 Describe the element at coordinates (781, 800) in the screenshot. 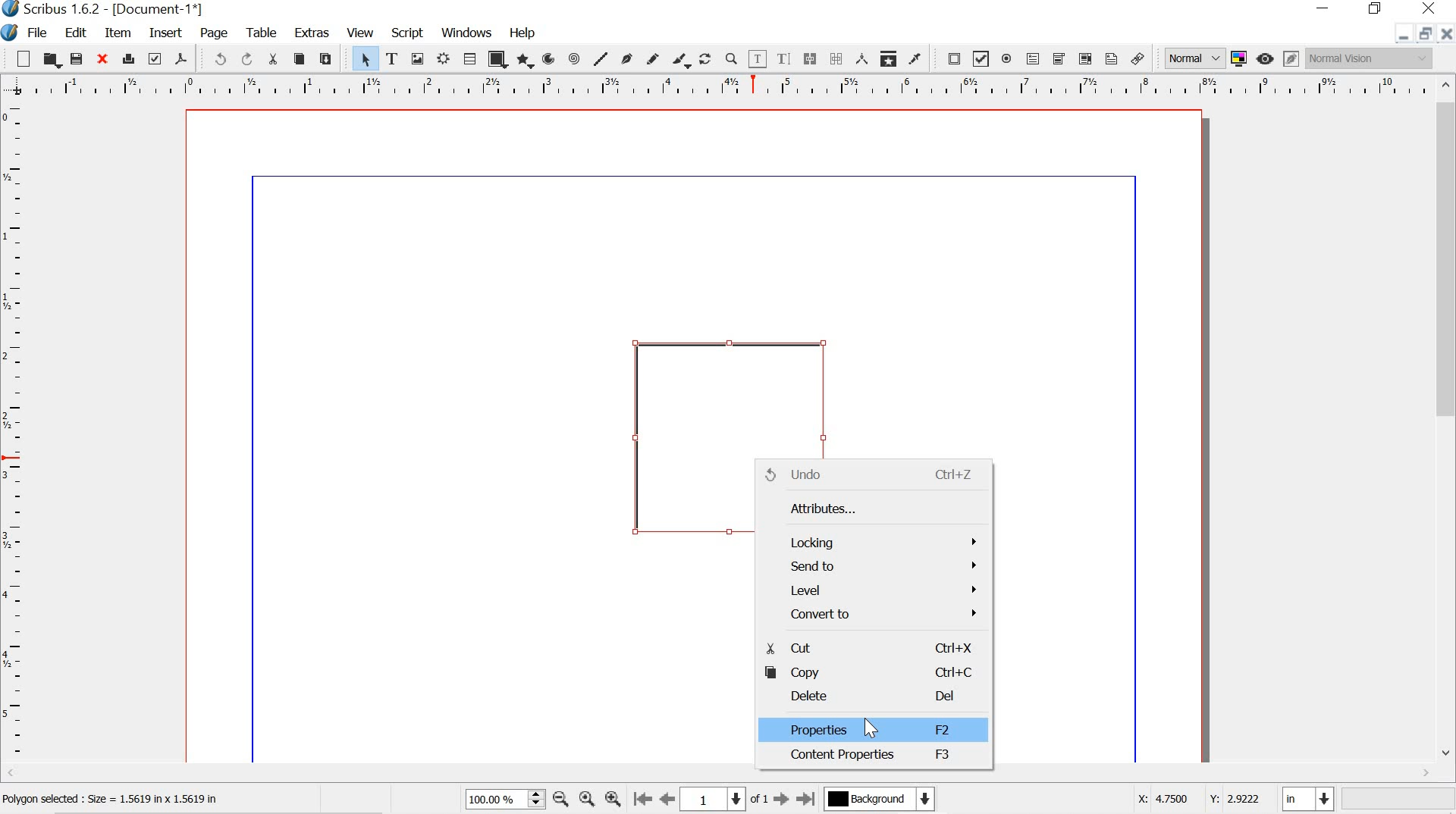

I see `go to next page` at that location.